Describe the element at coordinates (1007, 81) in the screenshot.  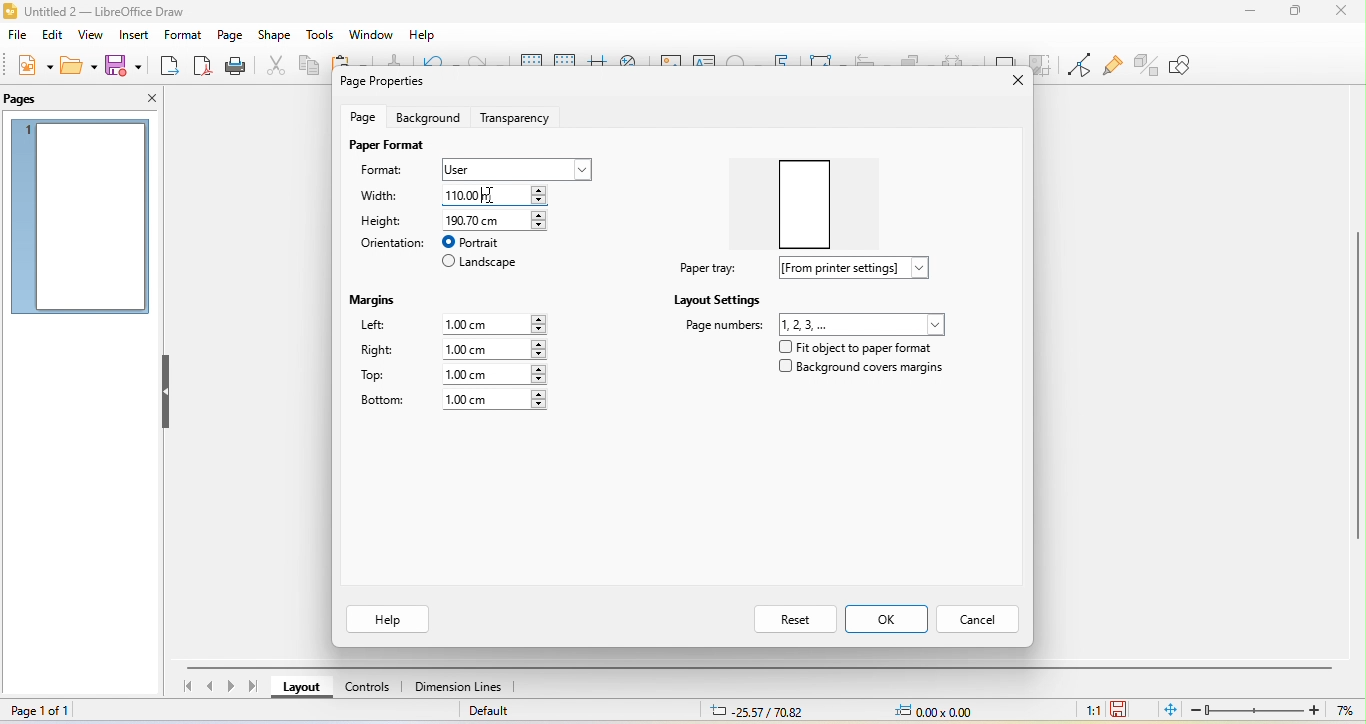
I see `close` at that location.